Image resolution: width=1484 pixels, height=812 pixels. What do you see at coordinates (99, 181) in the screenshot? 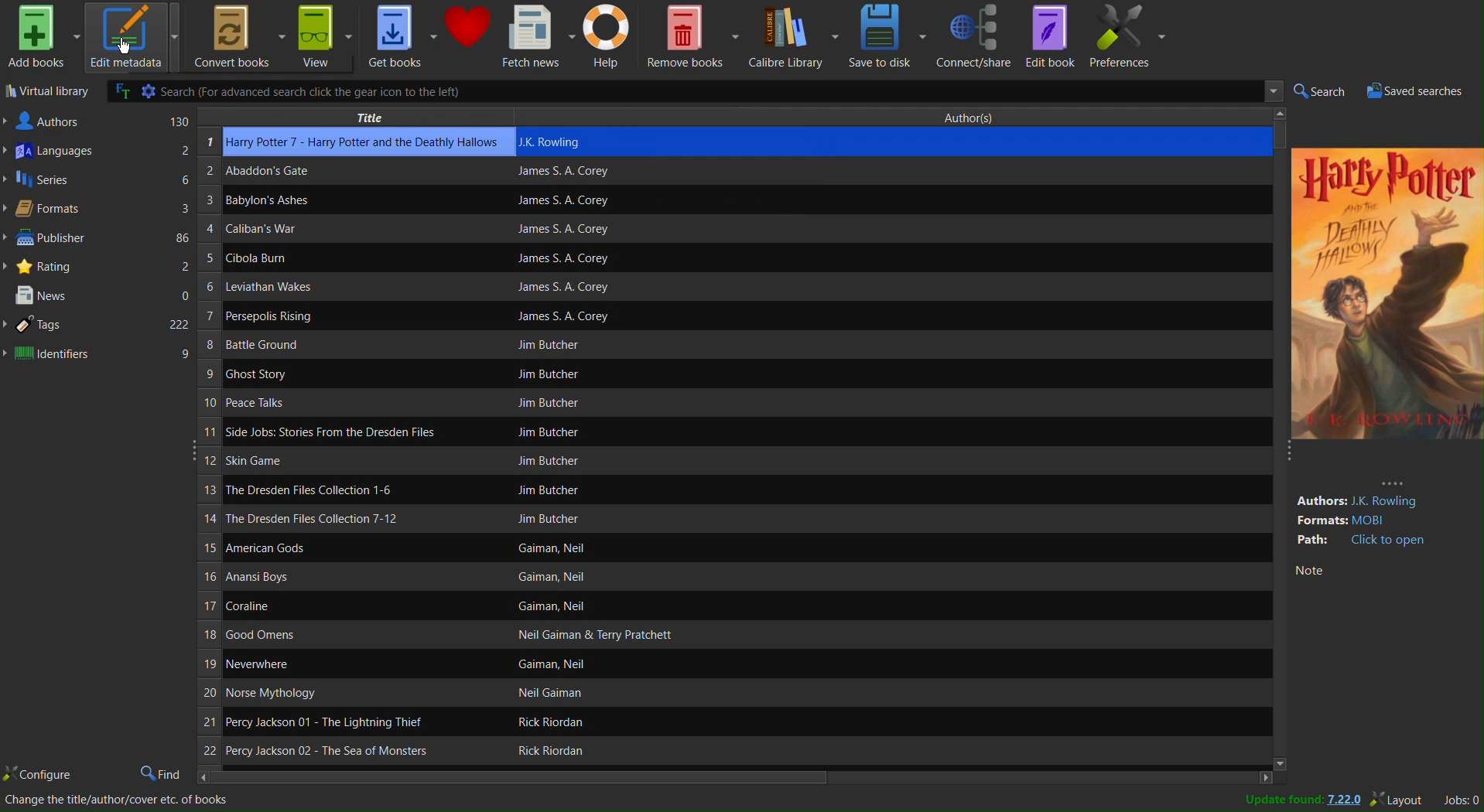
I see `Series` at bounding box center [99, 181].